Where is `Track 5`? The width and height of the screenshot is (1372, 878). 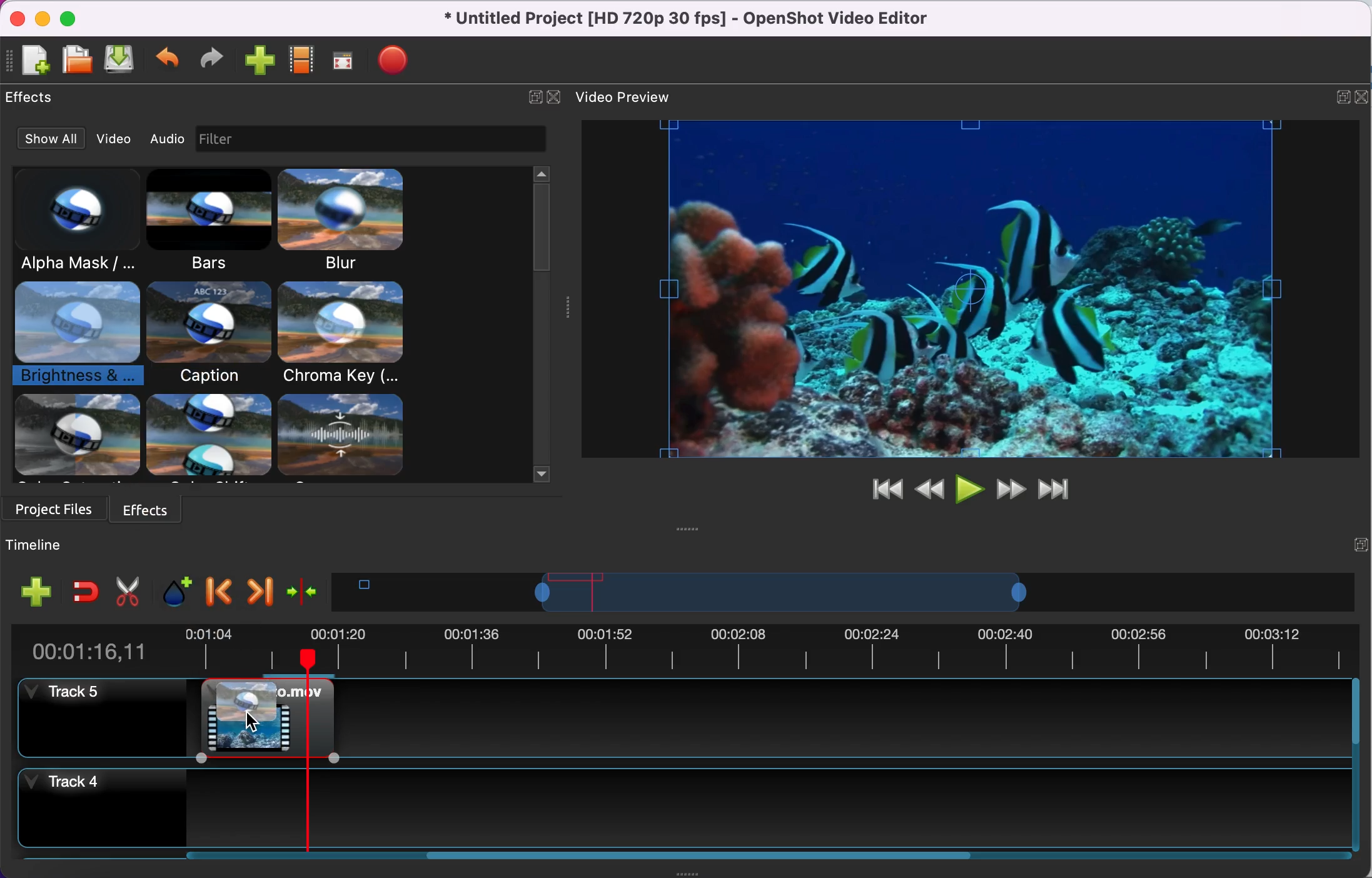 Track 5 is located at coordinates (843, 717).